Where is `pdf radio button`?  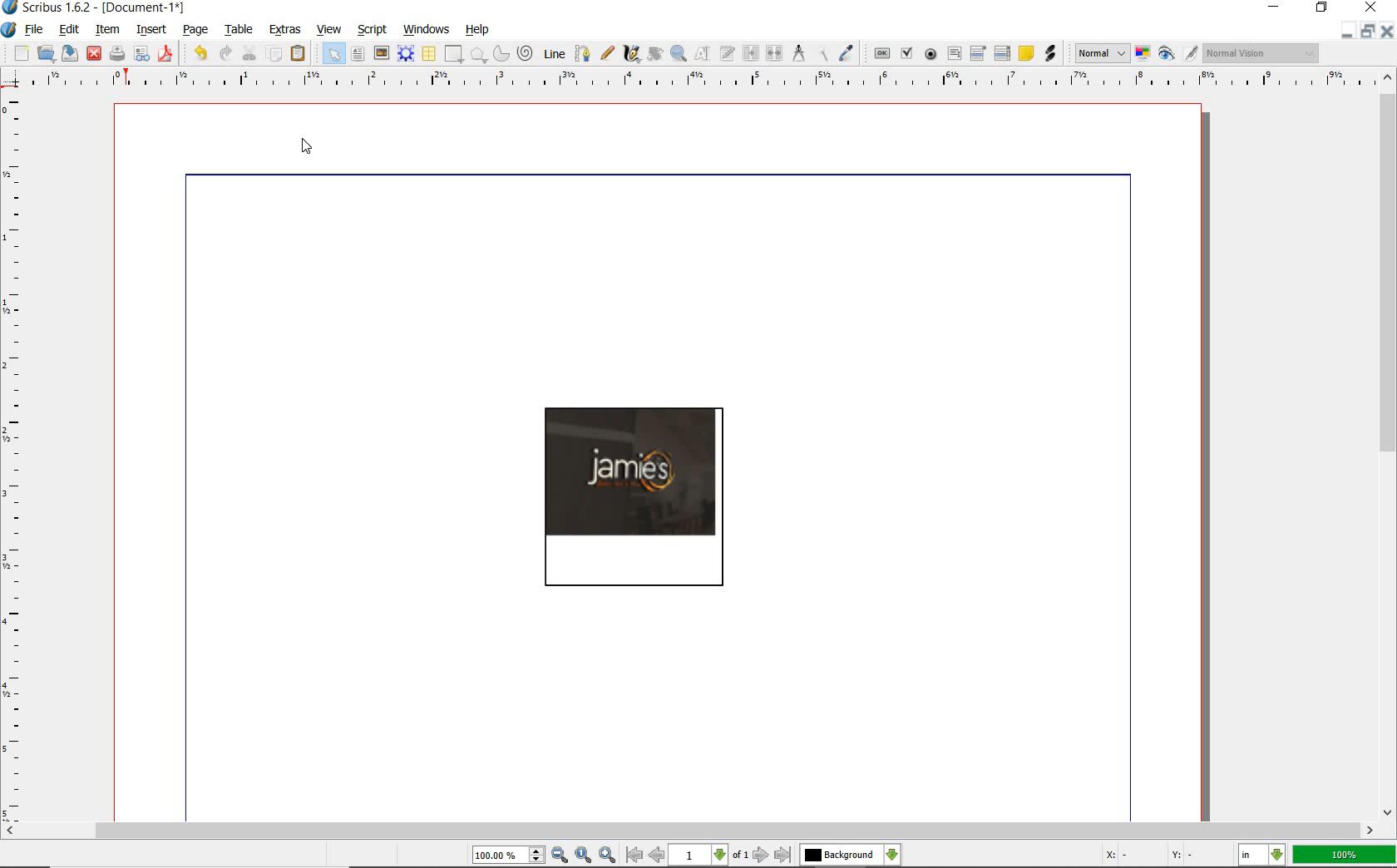
pdf radio button is located at coordinates (931, 55).